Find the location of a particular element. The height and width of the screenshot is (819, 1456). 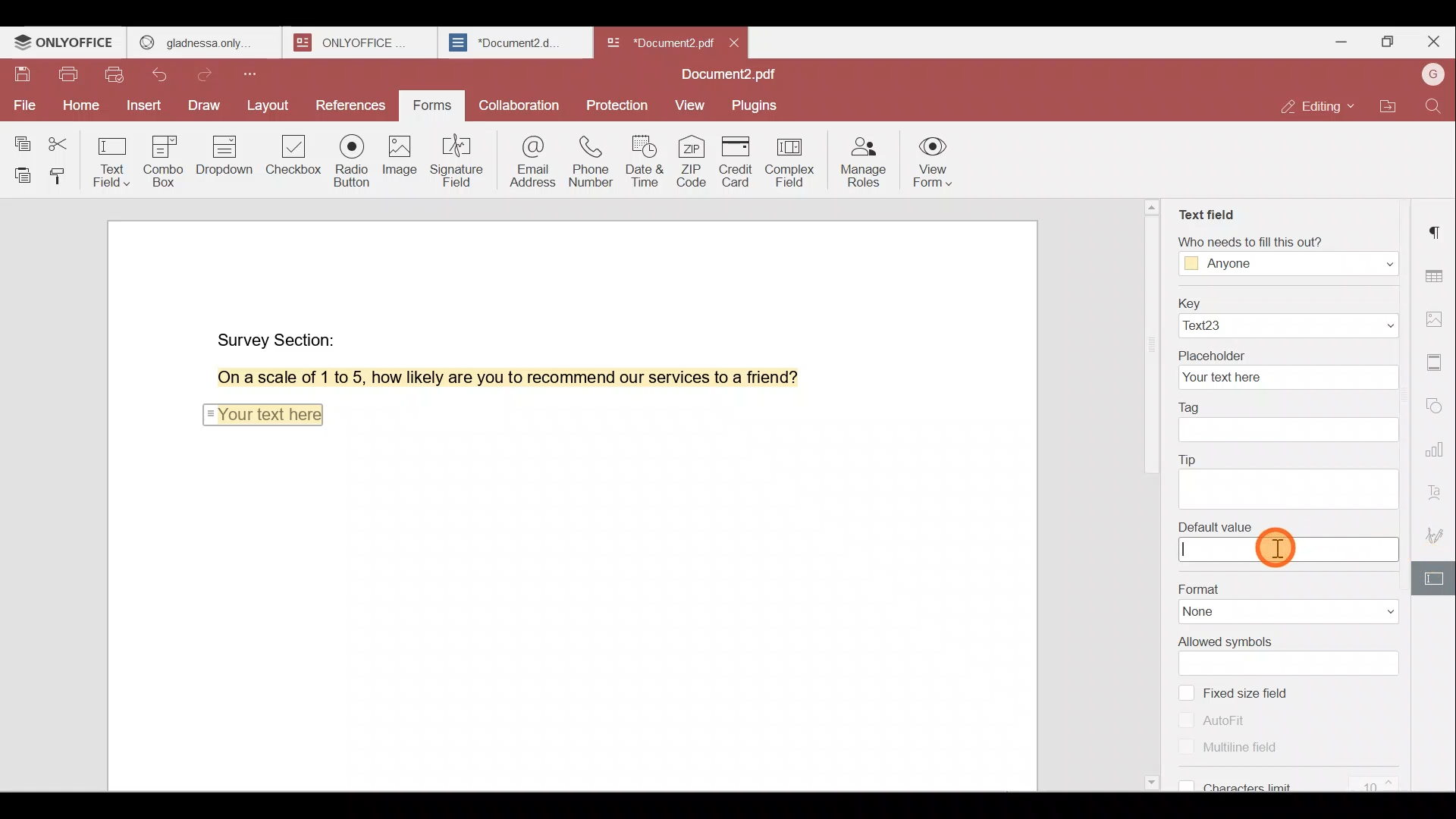

Cut is located at coordinates (64, 140).